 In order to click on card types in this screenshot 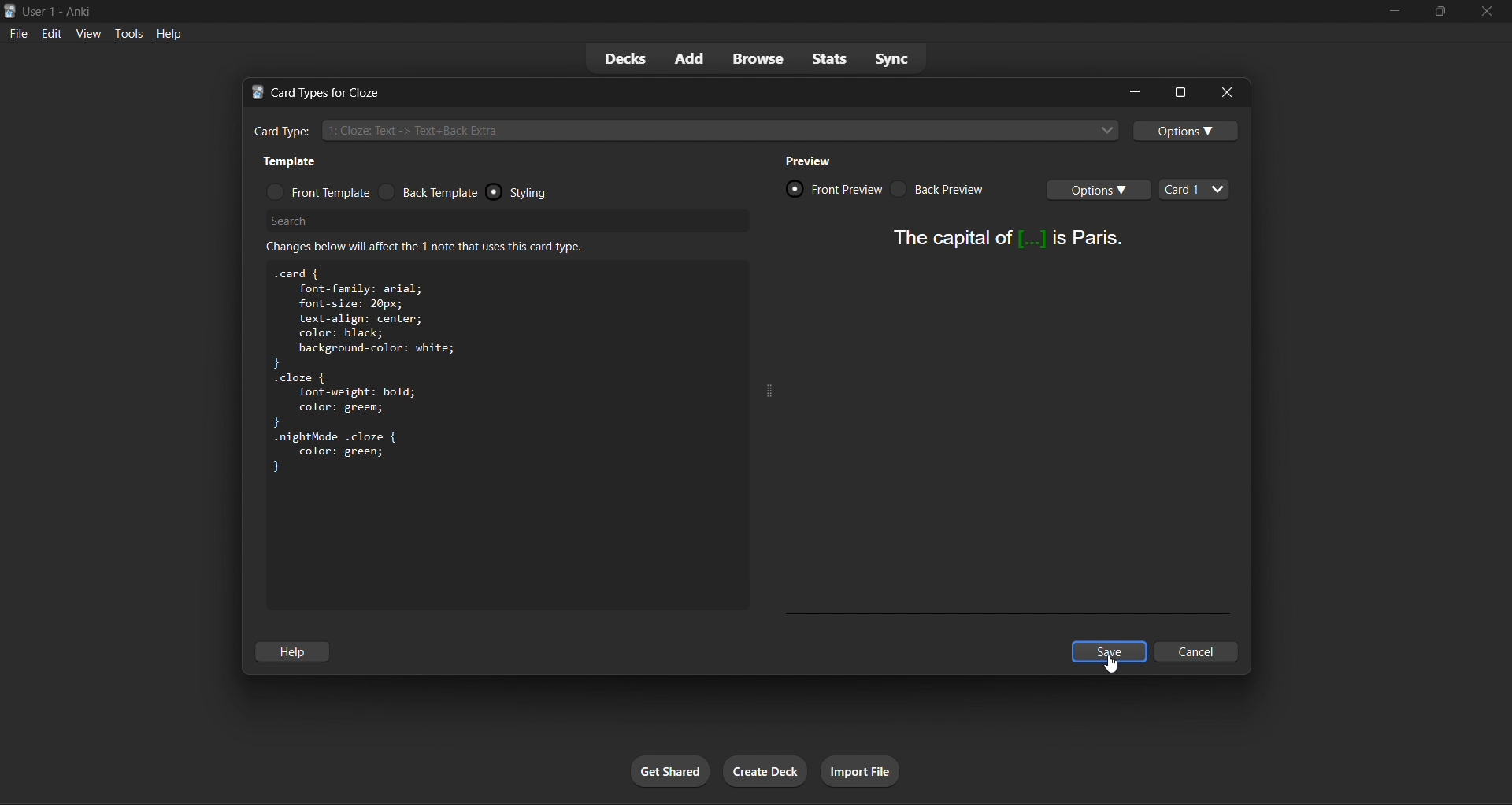, I will do `click(1194, 188)`.